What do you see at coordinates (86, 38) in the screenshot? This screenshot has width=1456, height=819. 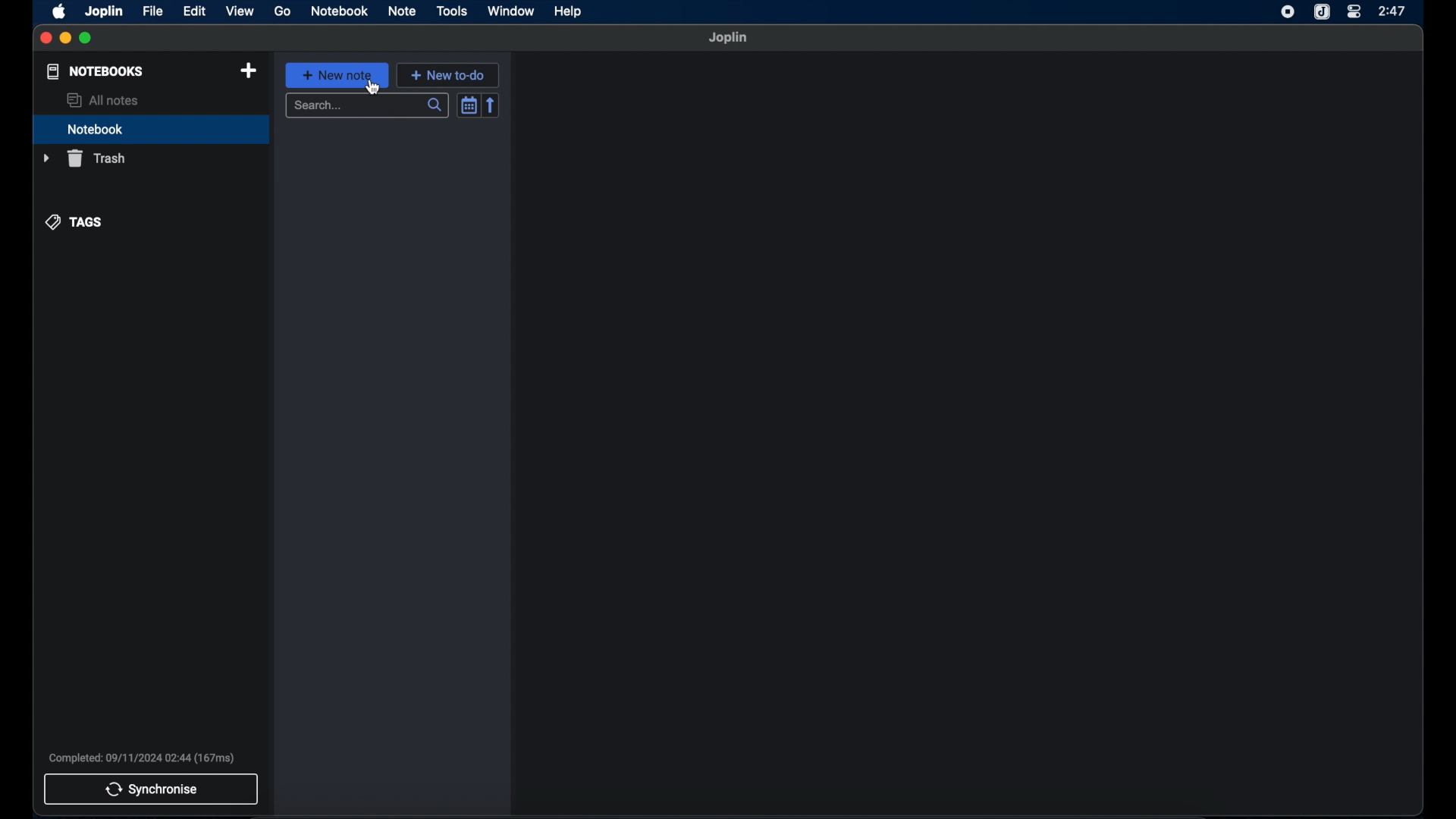 I see `maximize` at bounding box center [86, 38].